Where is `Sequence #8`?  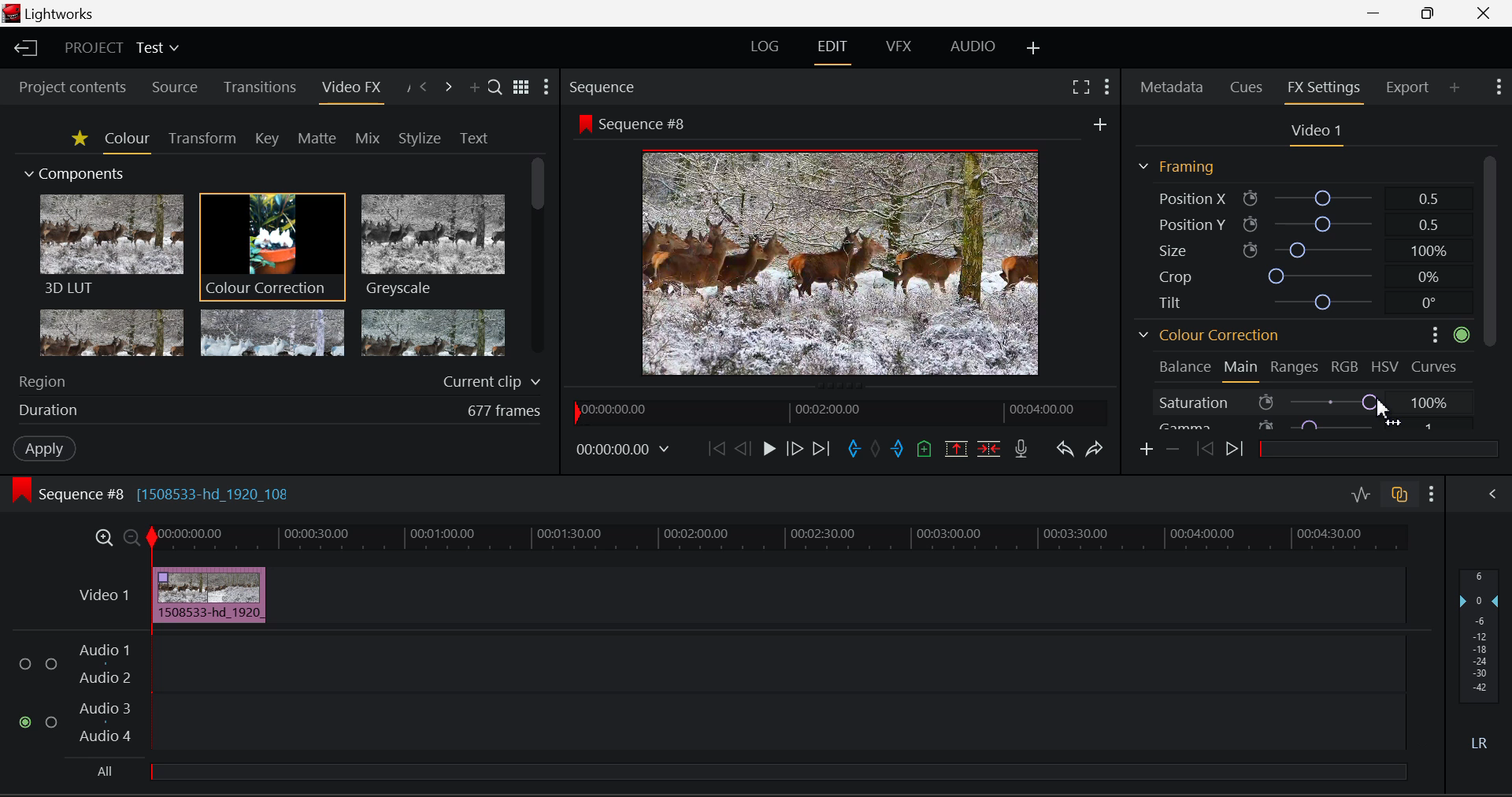
Sequence #8 is located at coordinates (632, 122).